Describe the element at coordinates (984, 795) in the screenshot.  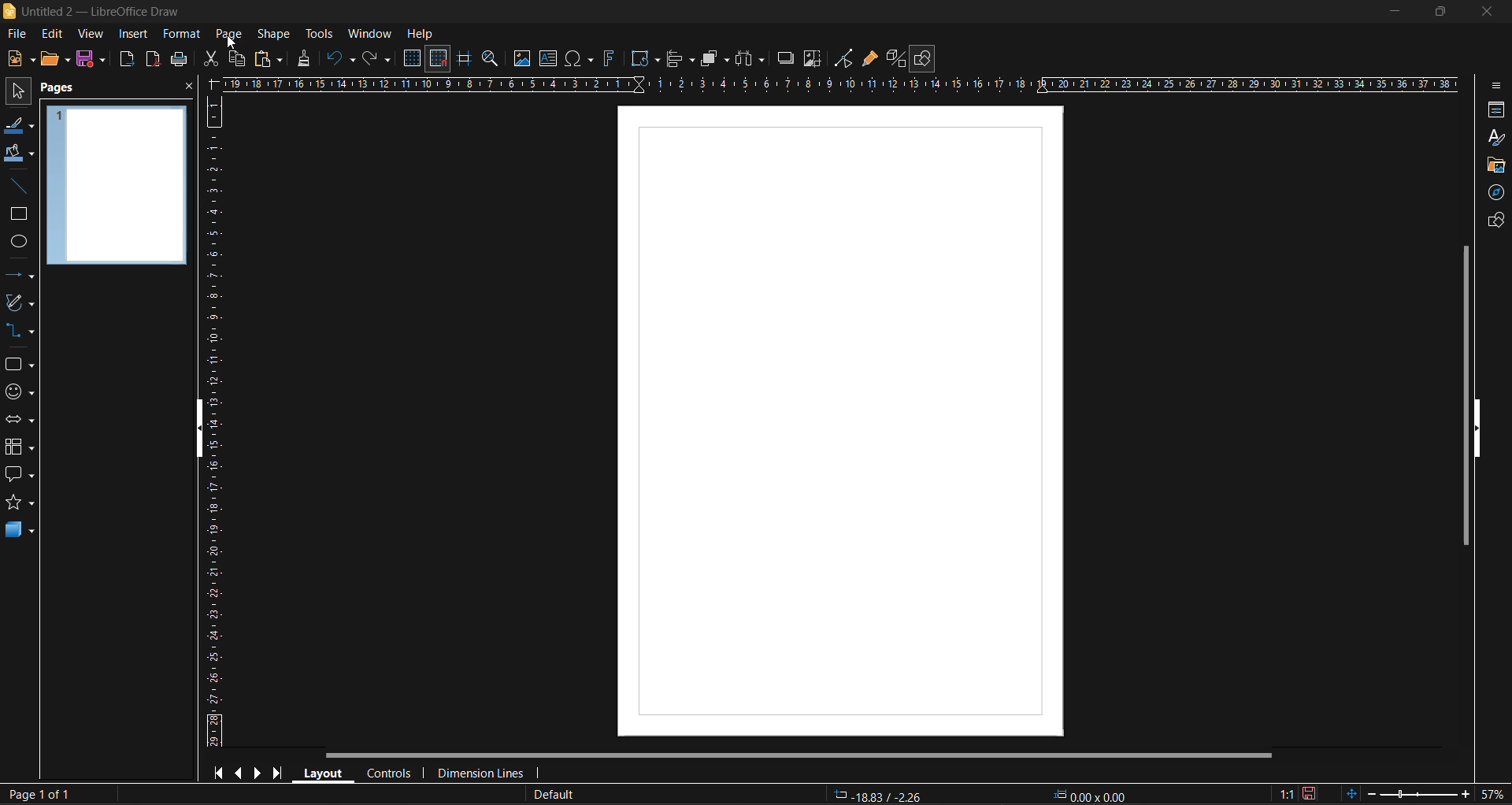
I see `-18.53/-2.26 0.00x0.00` at that location.